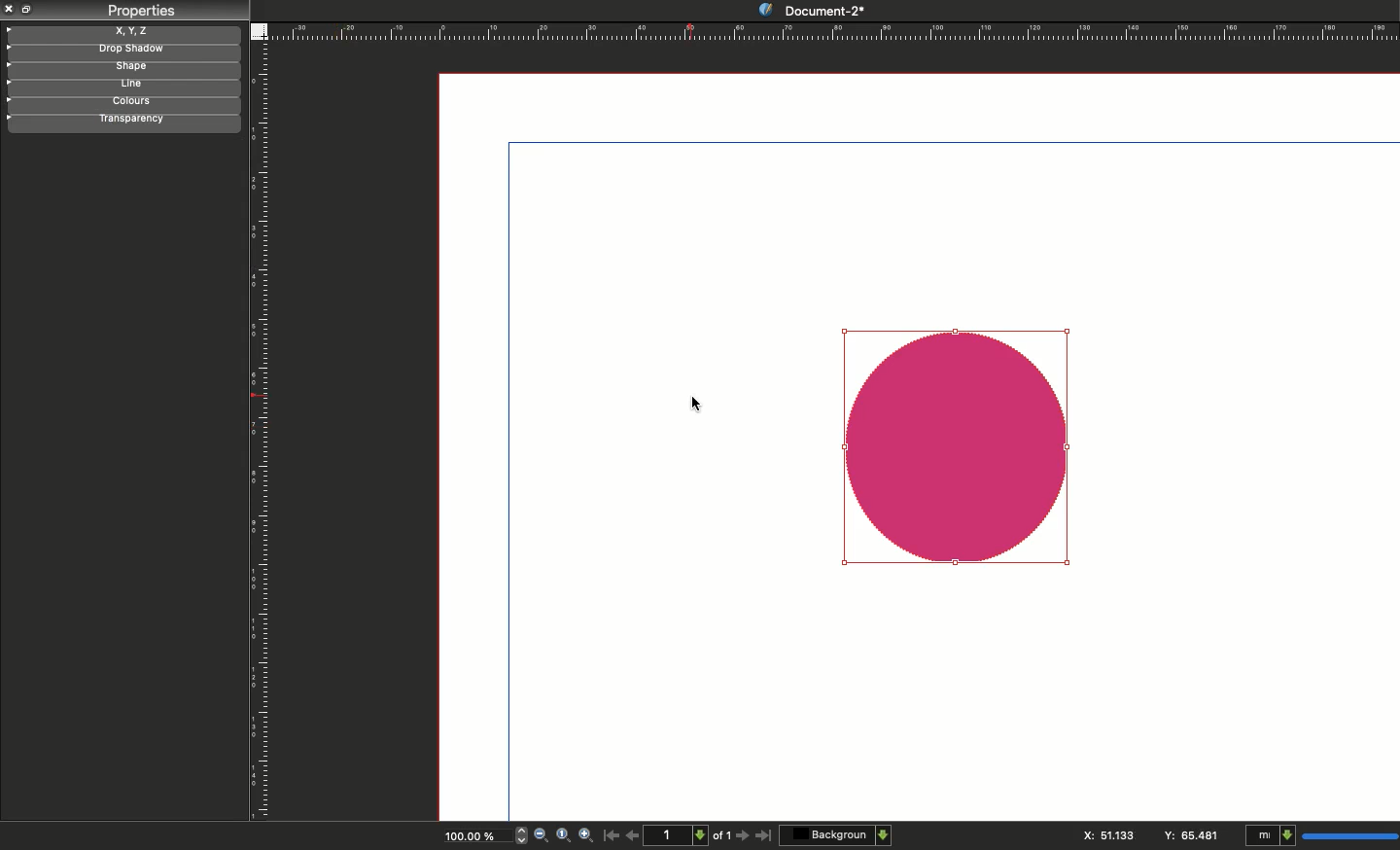 Image resolution: width=1400 pixels, height=850 pixels. I want to click on Collapse, so click(29, 9).